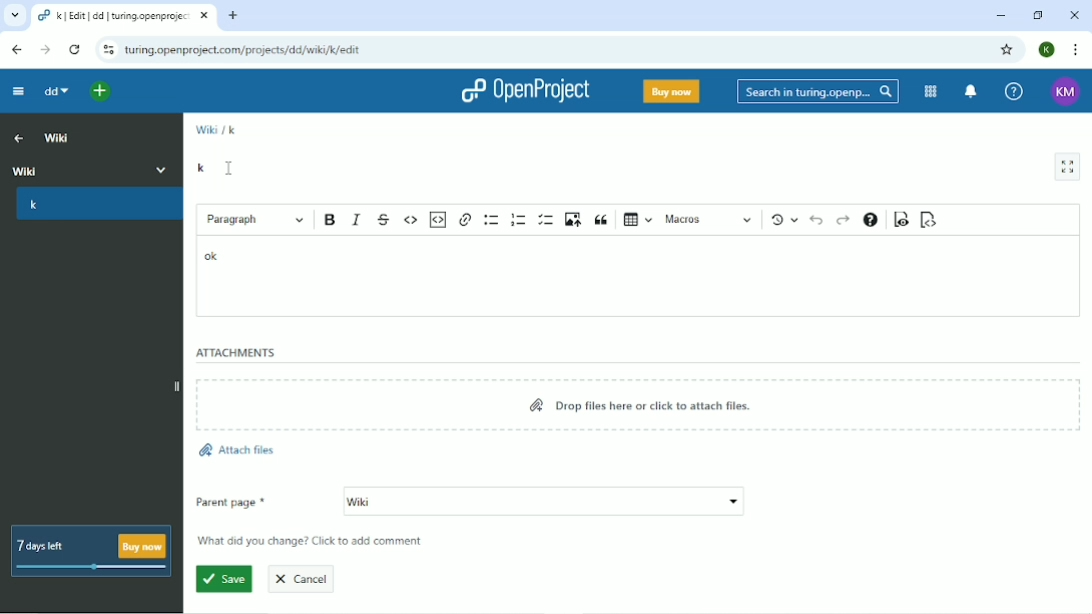 The width and height of the screenshot is (1092, 614). What do you see at coordinates (870, 220) in the screenshot?
I see `Text formatting help` at bounding box center [870, 220].